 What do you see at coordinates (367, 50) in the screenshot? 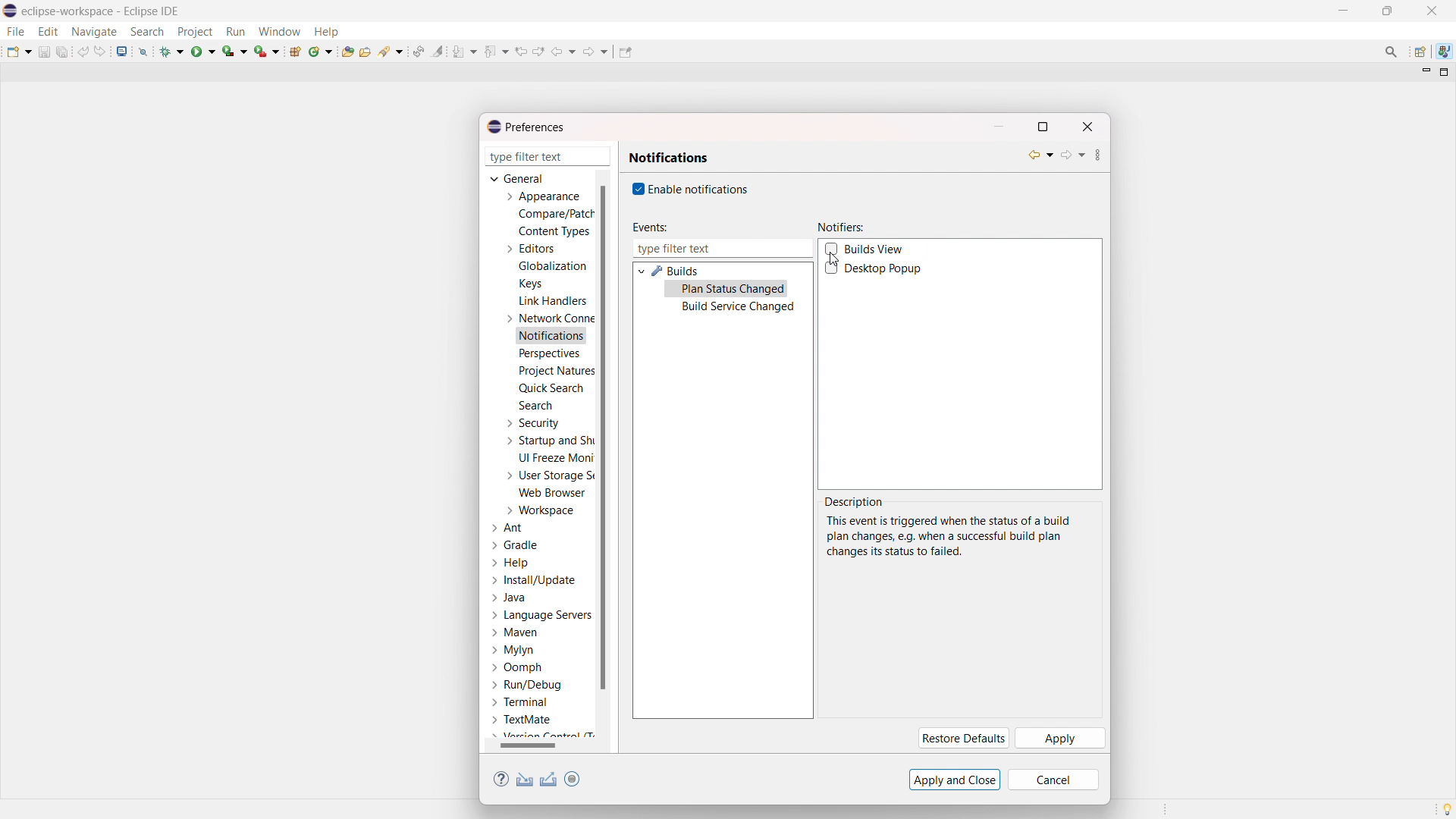
I see `open task` at bounding box center [367, 50].